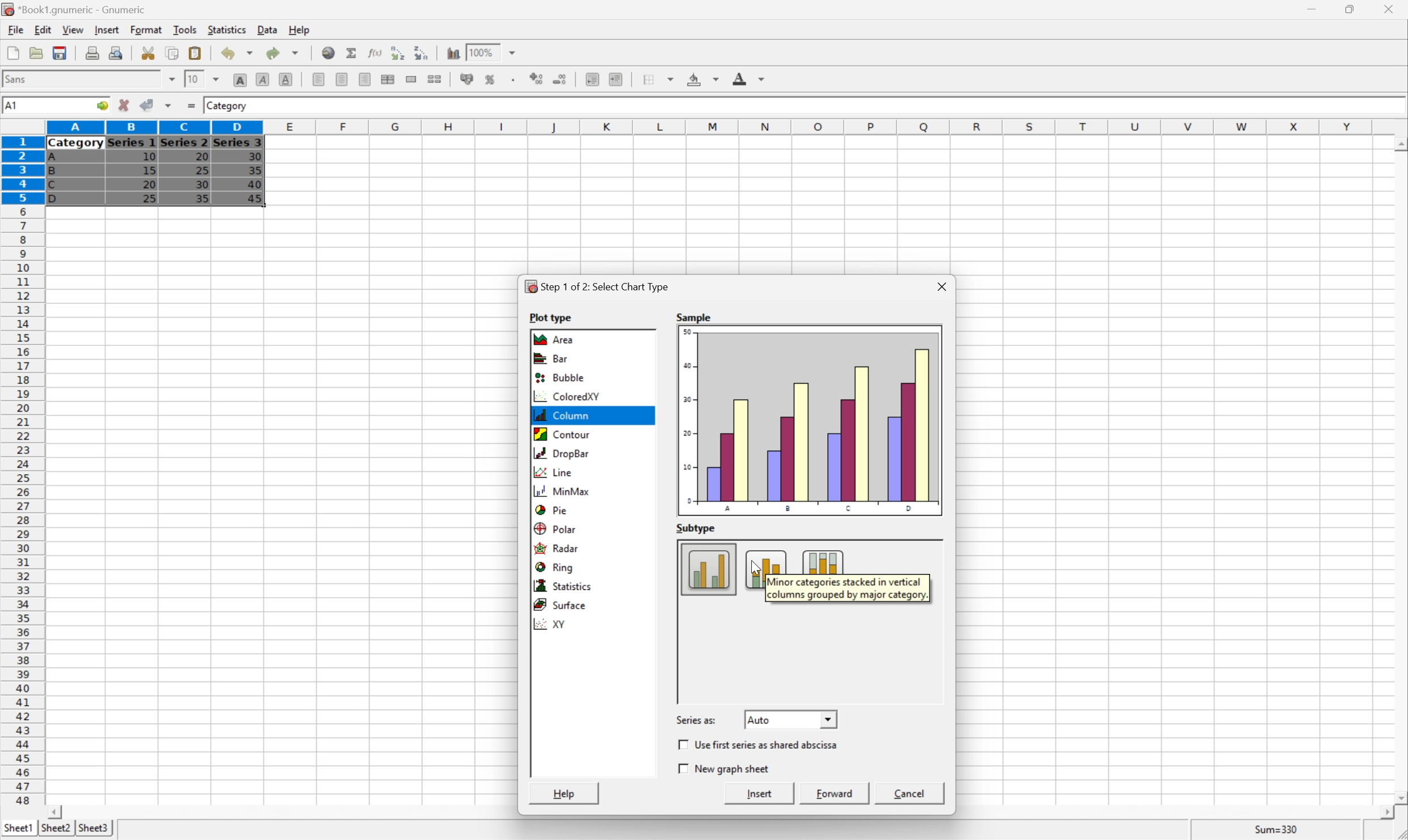  I want to click on Borders, so click(661, 78).